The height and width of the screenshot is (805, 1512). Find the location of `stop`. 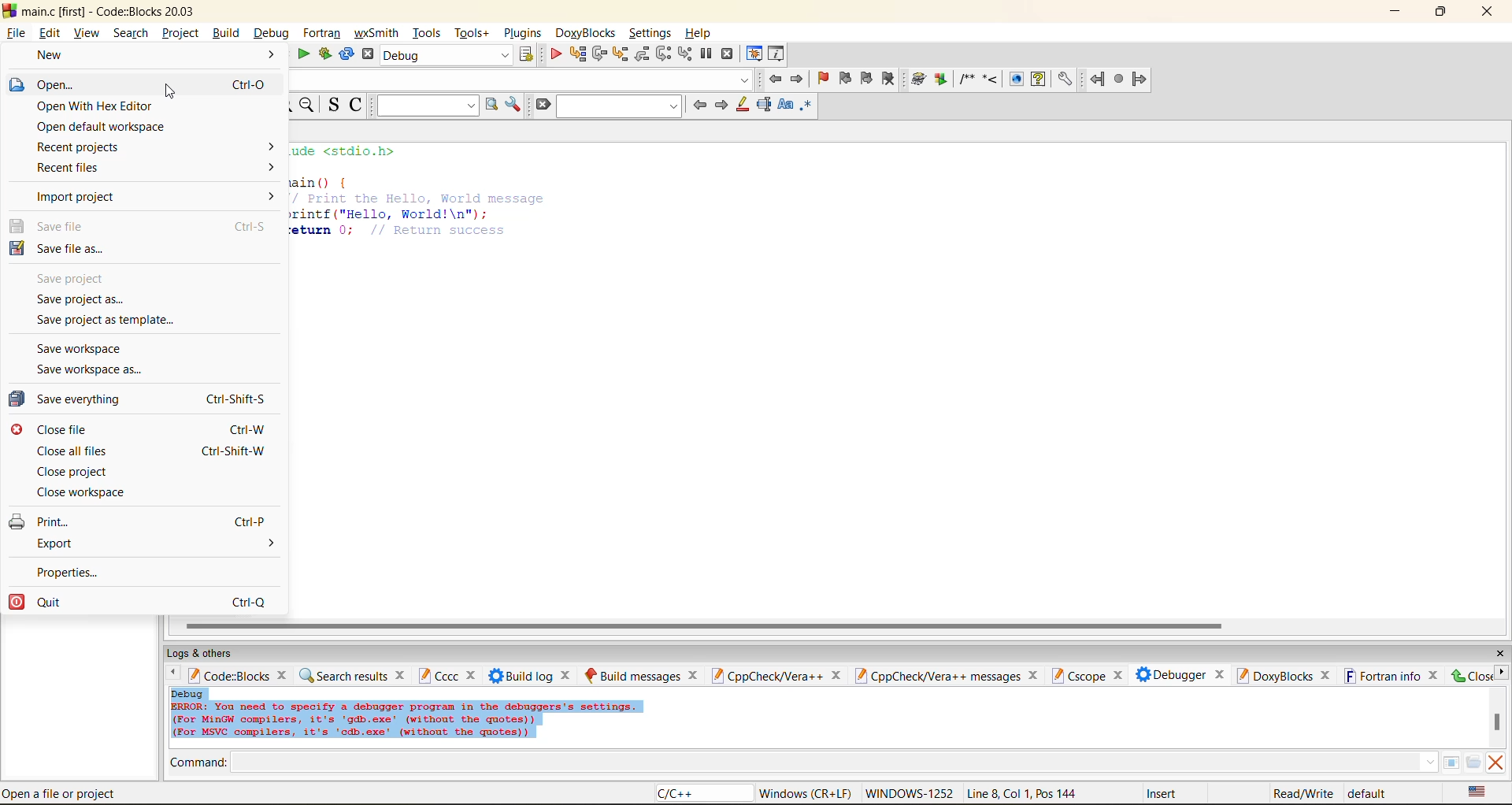

stop is located at coordinates (1120, 80).